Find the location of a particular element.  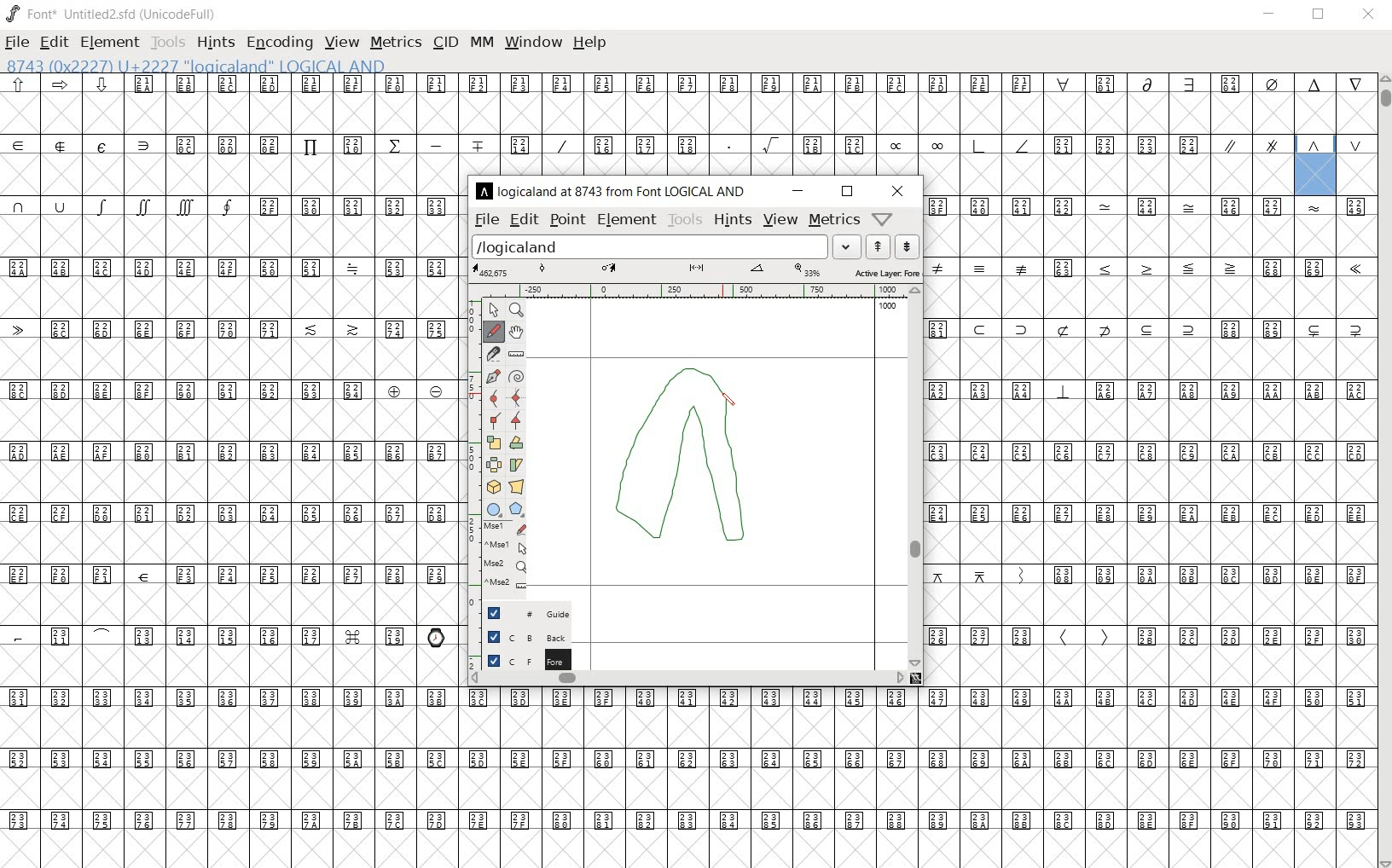

designing logical And glyph is located at coordinates (687, 465).